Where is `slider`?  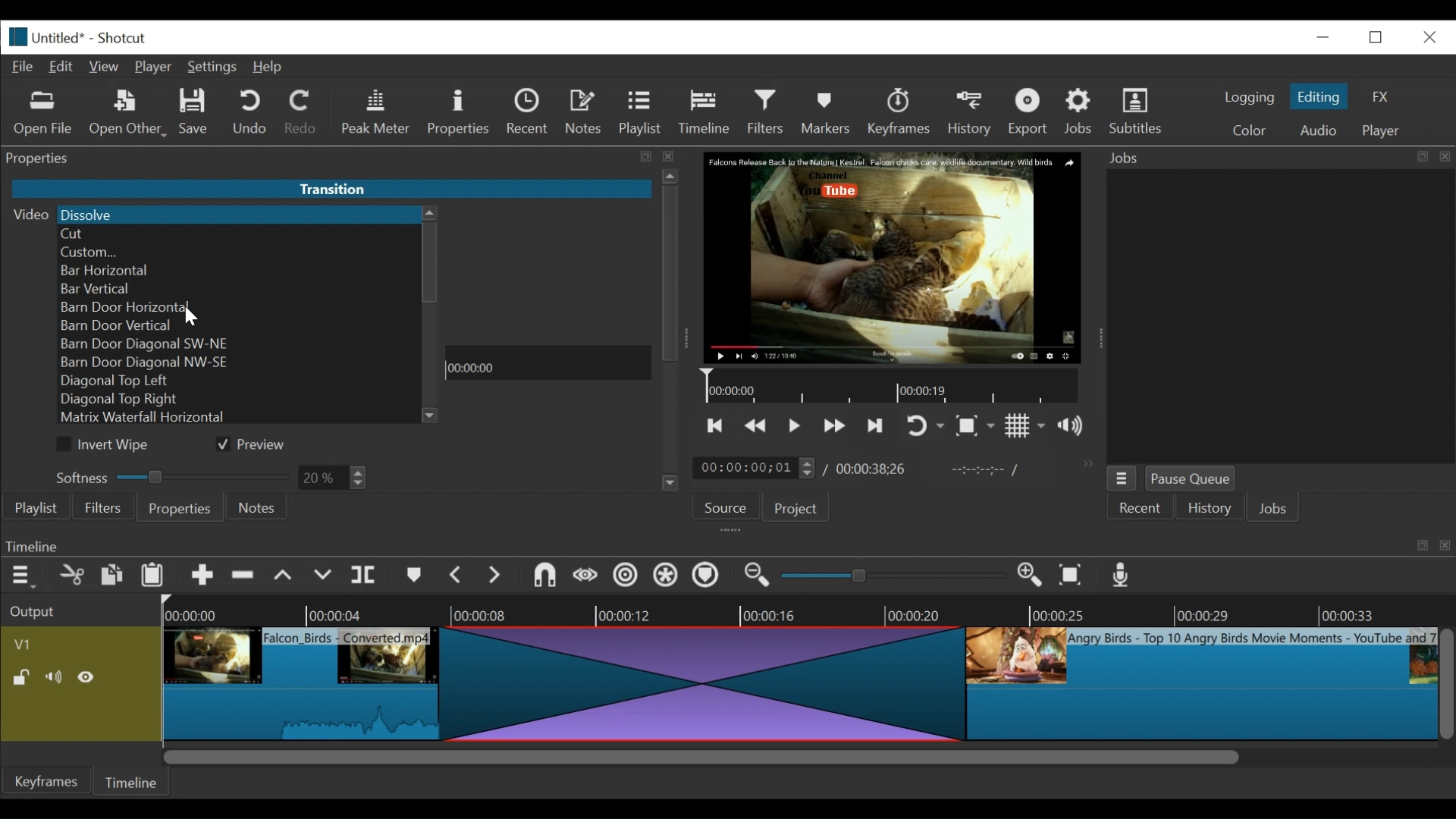
slider is located at coordinates (889, 576).